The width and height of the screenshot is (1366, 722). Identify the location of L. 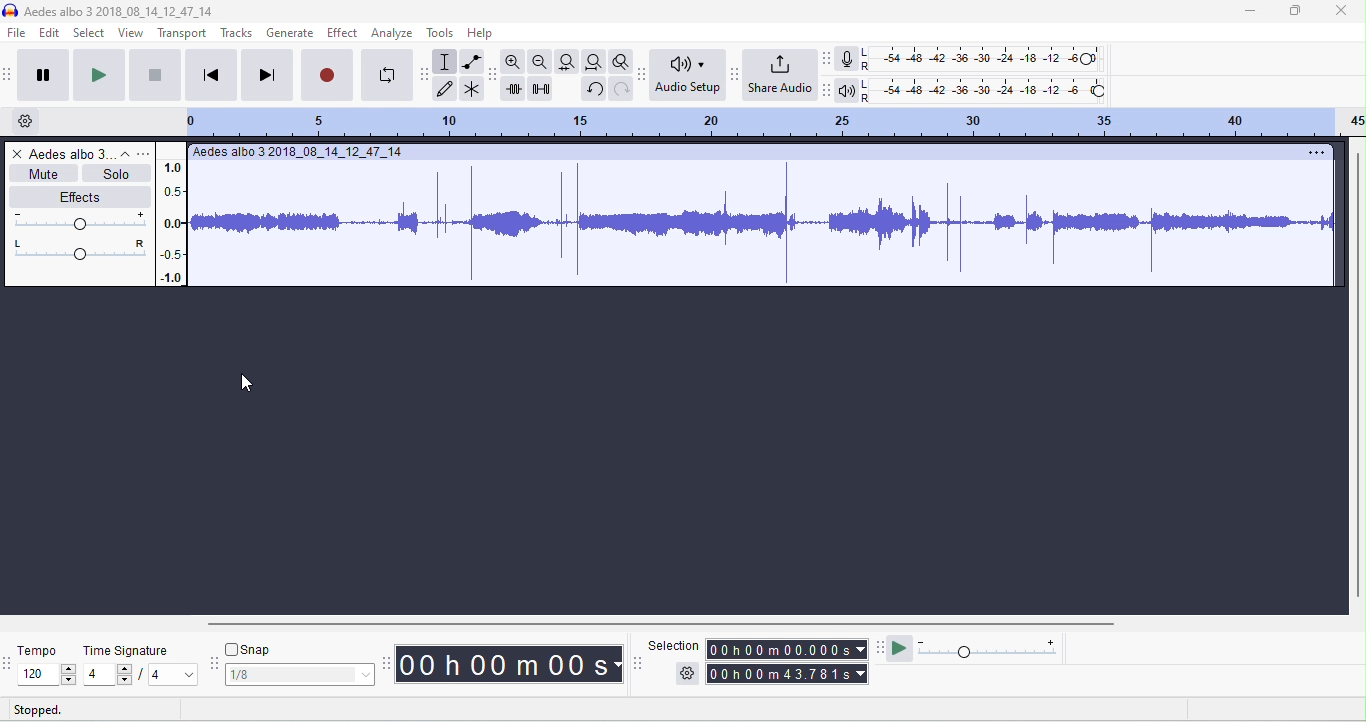
(866, 84).